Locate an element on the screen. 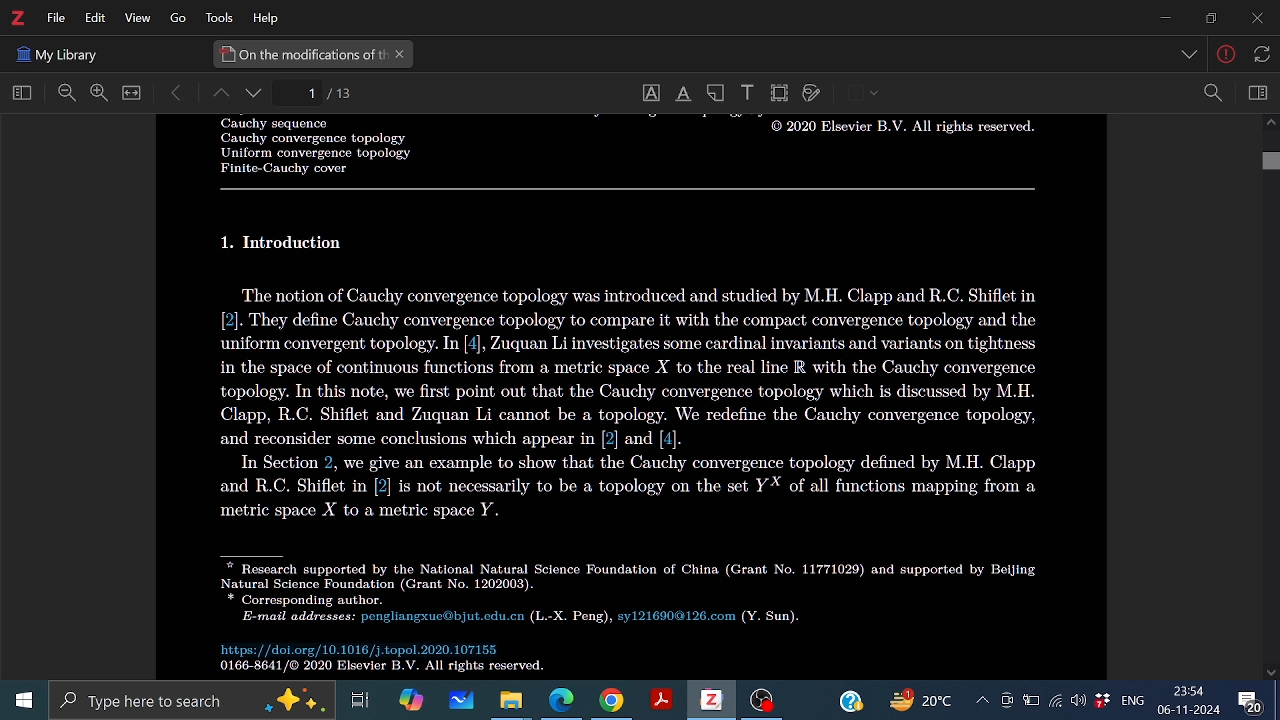   is located at coordinates (875, 94).